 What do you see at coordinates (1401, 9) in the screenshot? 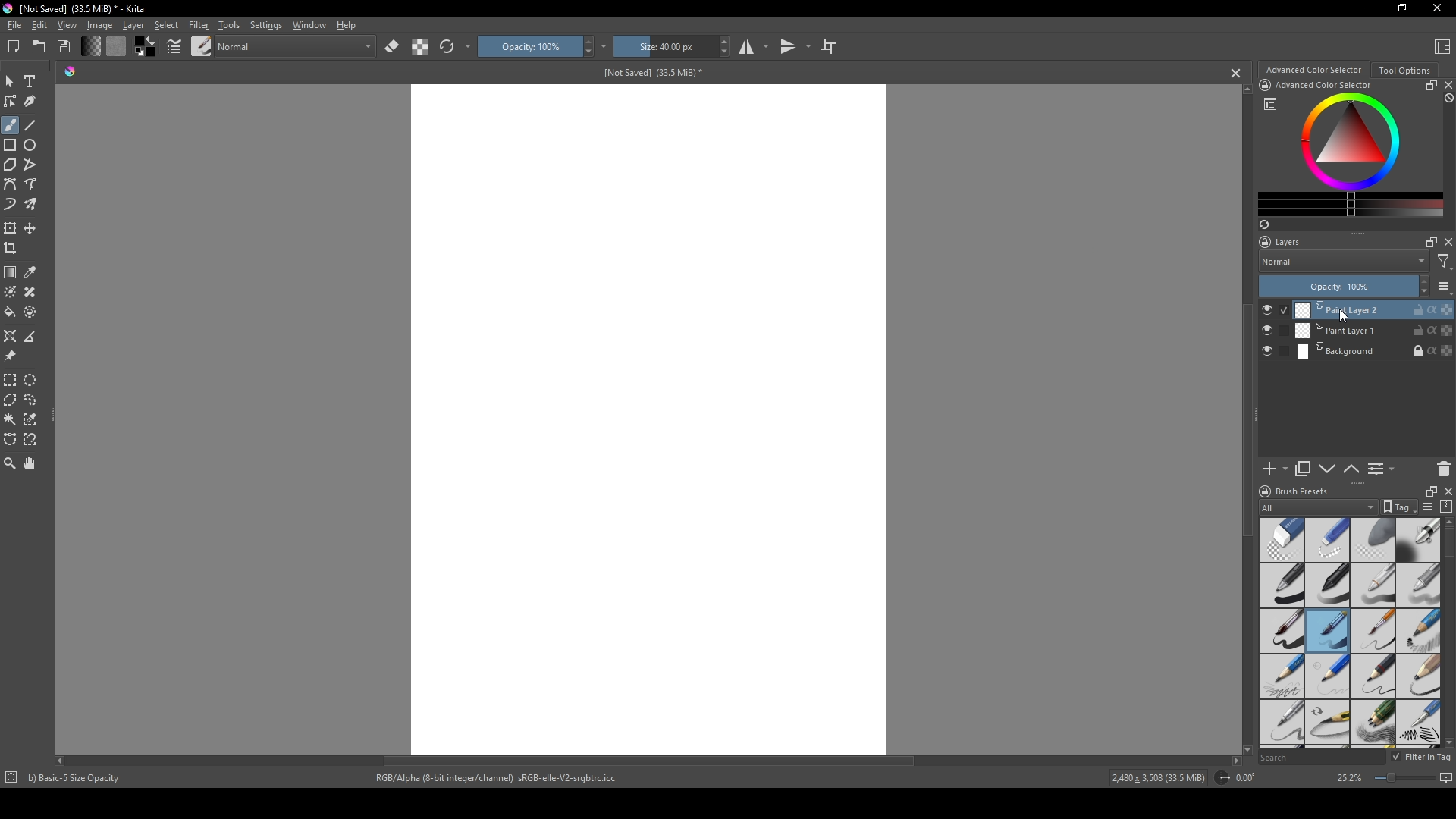
I see `resize` at bounding box center [1401, 9].